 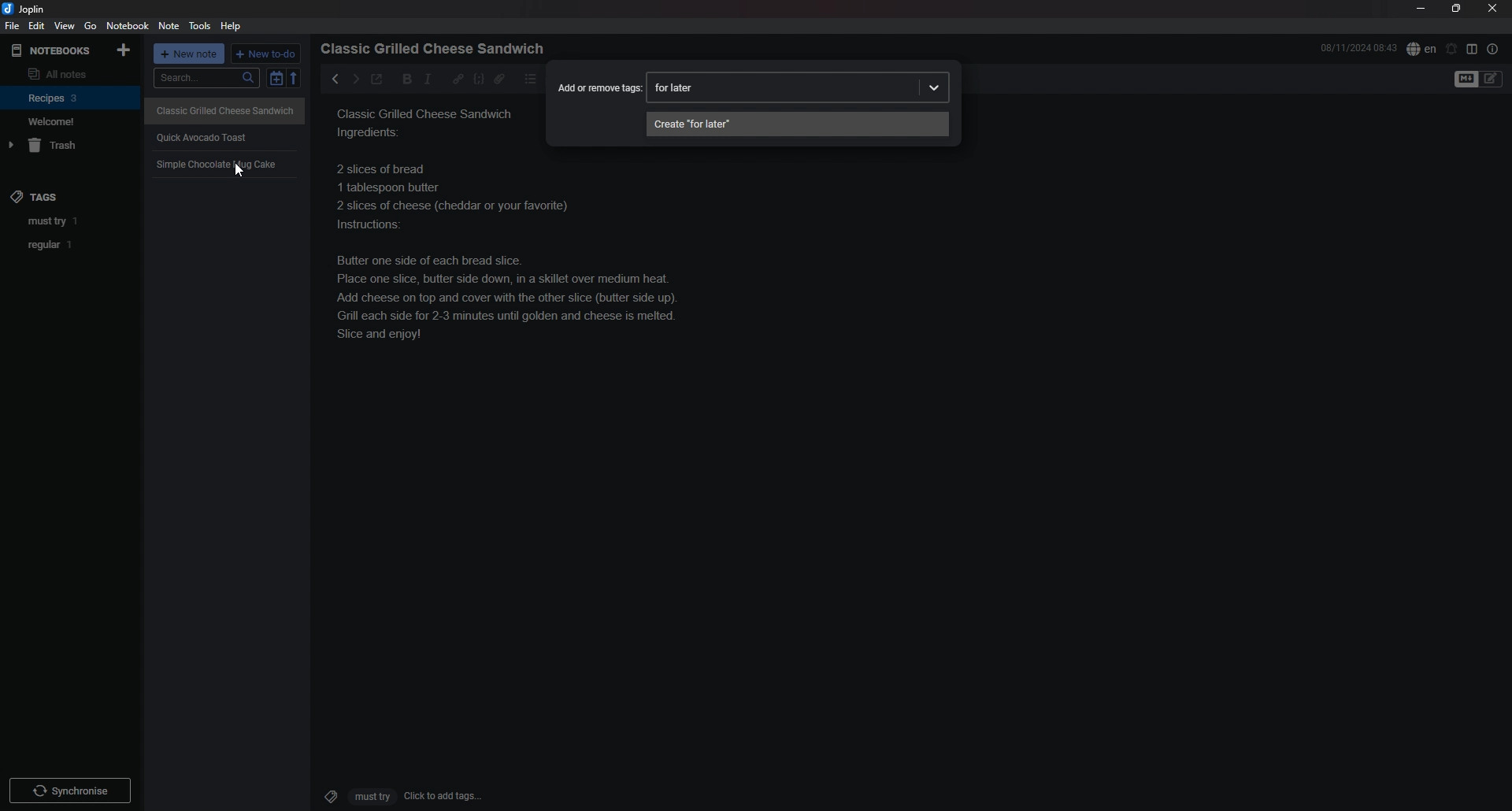 What do you see at coordinates (1473, 49) in the screenshot?
I see `toggle editor layout` at bounding box center [1473, 49].